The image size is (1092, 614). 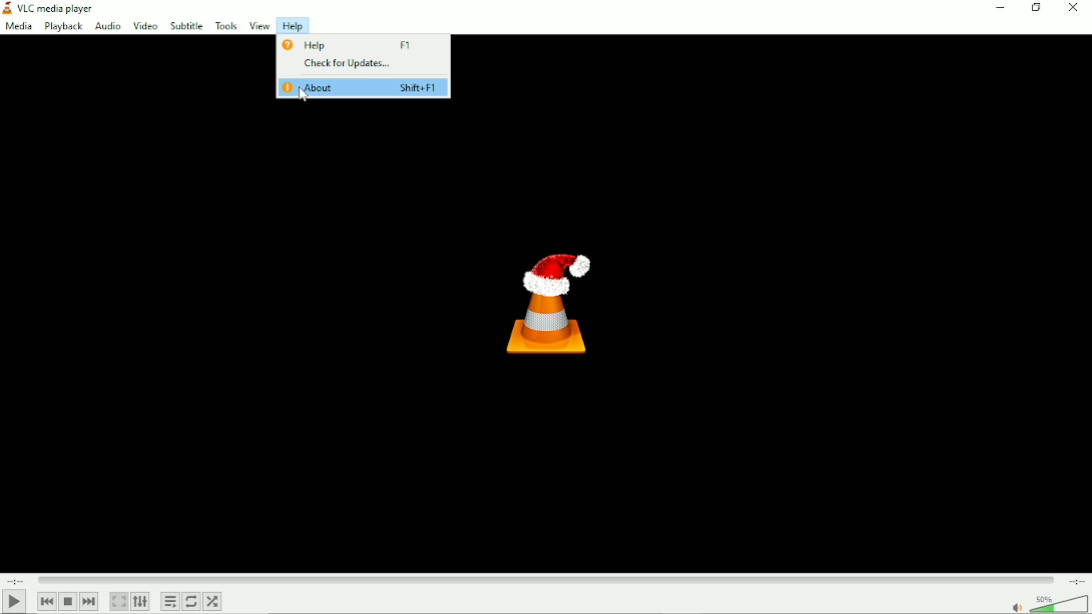 What do you see at coordinates (56, 9) in the screenshot?
I see `vlc media player` at bounding box center [56, 9].